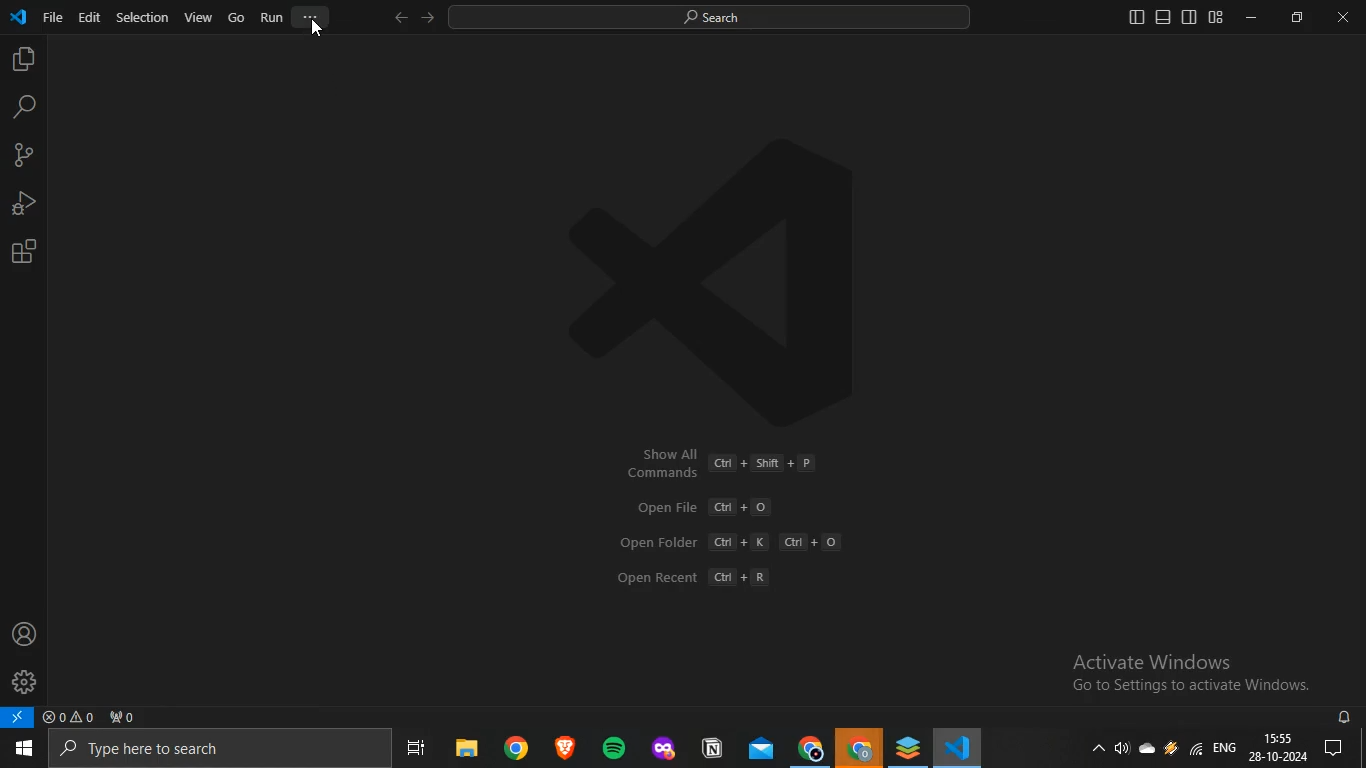 Image resolution: width=1366 pixels, height=768 pixels. I want to click on date and time, so click(1280, 749).